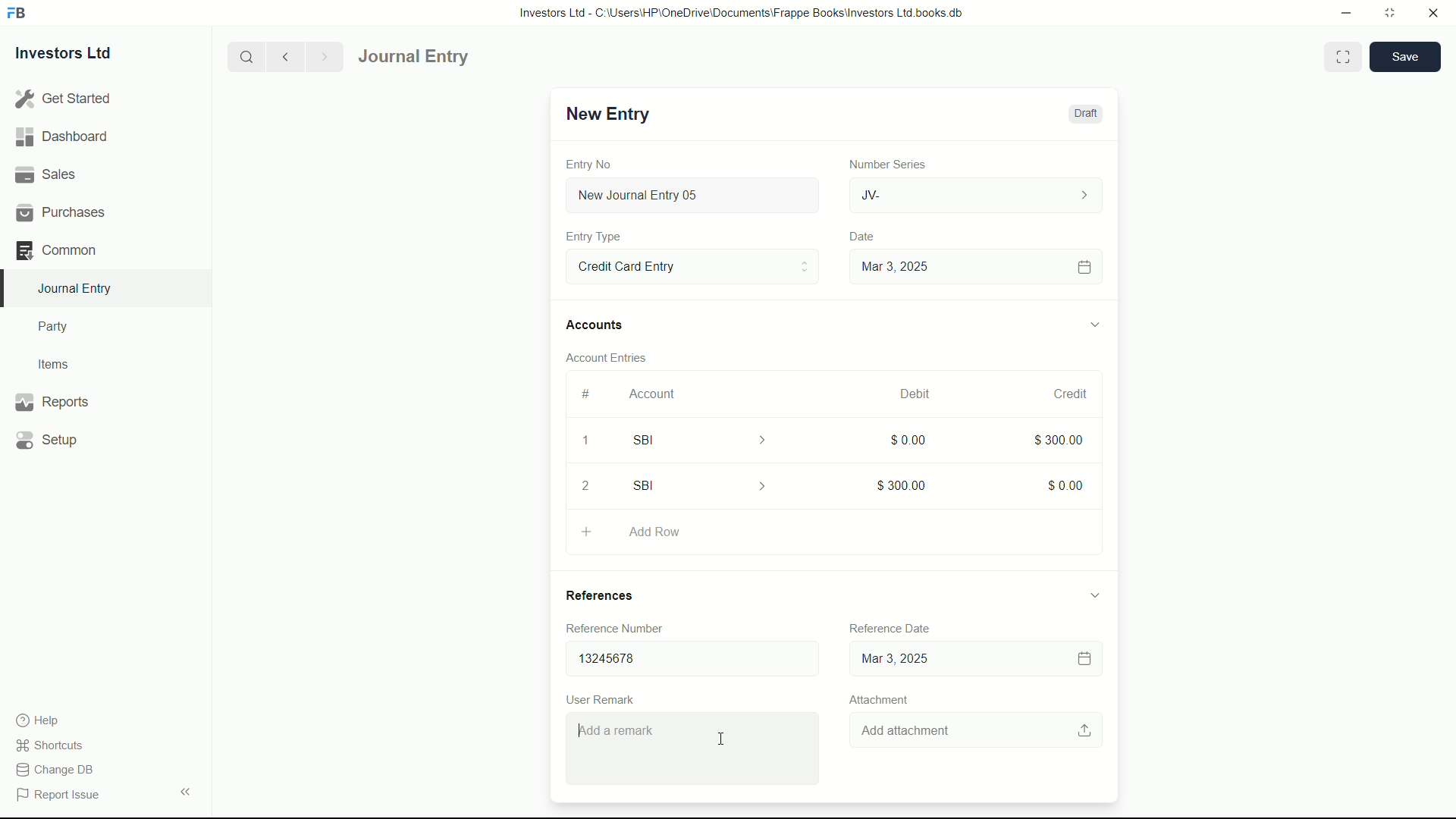 Image resolution: width=1456 pixels, height=819 pixels. Describe the element at coordinates (881, 163) in the screenshot. I see `Number Series` at that location.